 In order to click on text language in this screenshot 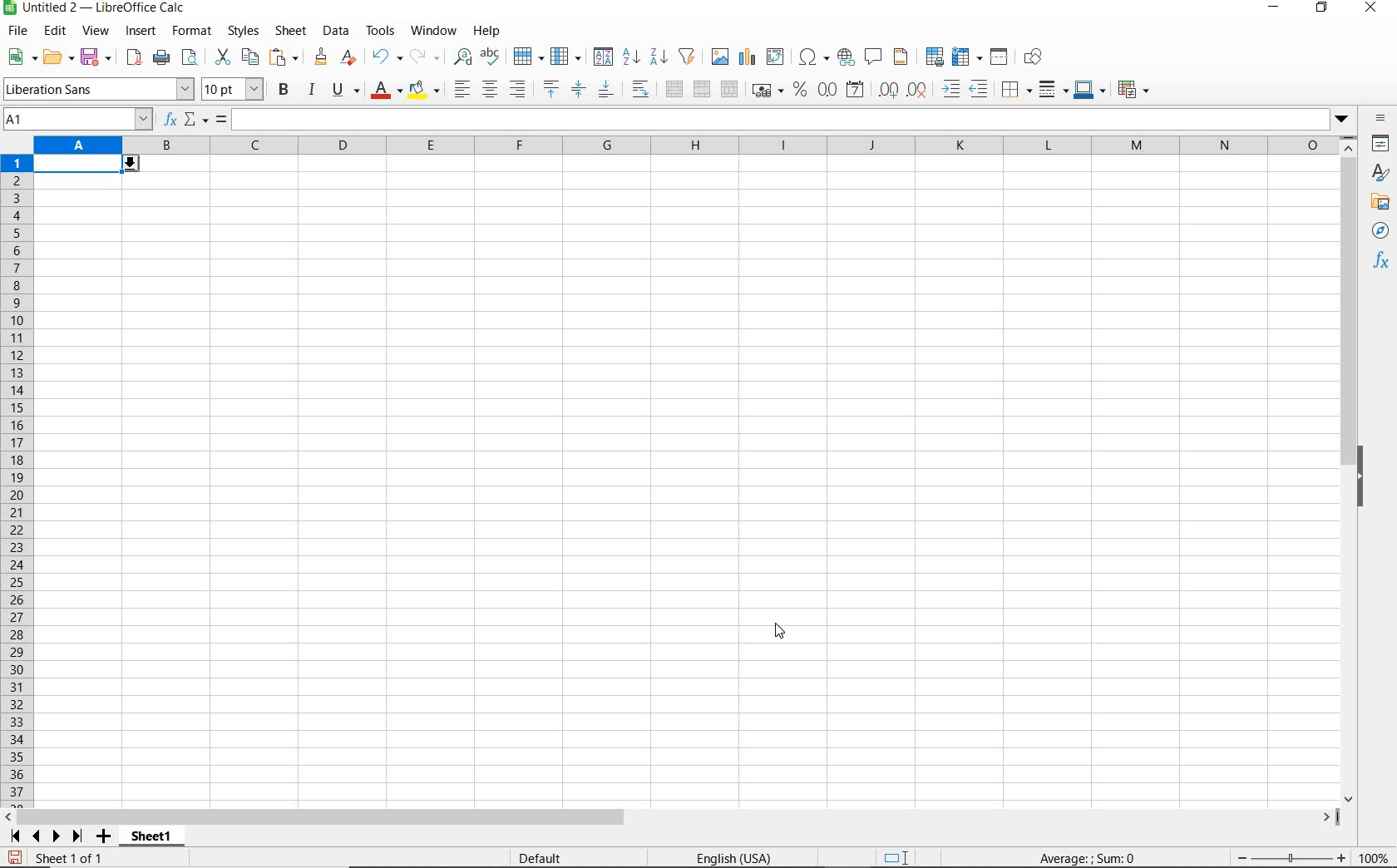, I will do `click(732, 860)`.